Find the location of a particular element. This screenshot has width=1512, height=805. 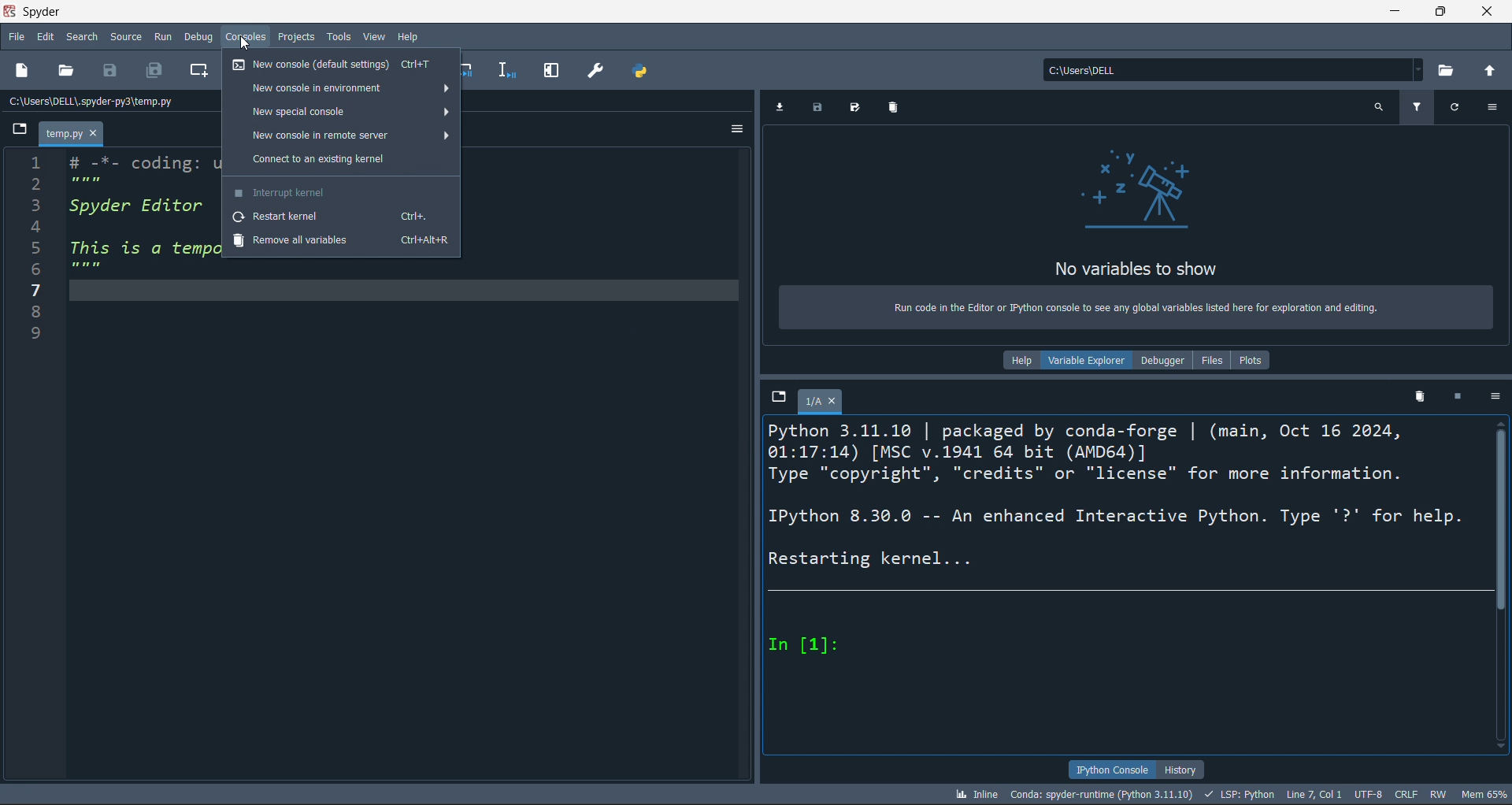

cursor is located at coordinates (246, 44).